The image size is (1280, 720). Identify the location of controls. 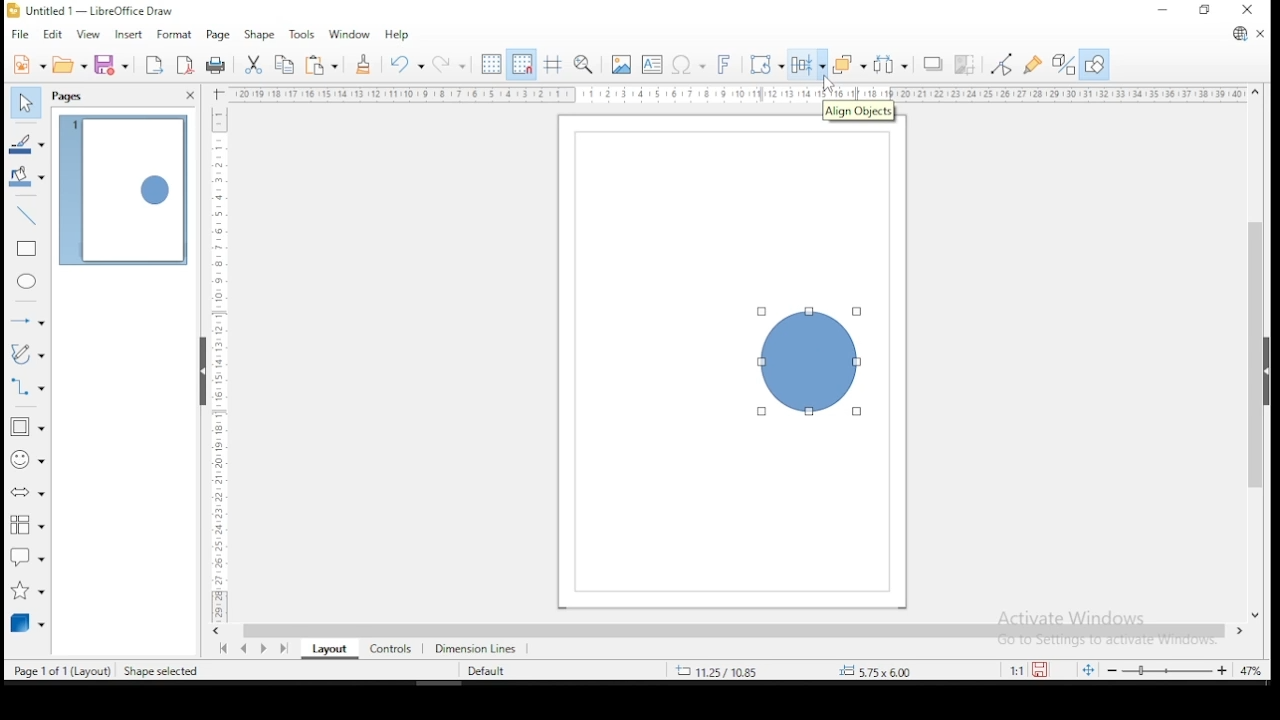
(388, 647).